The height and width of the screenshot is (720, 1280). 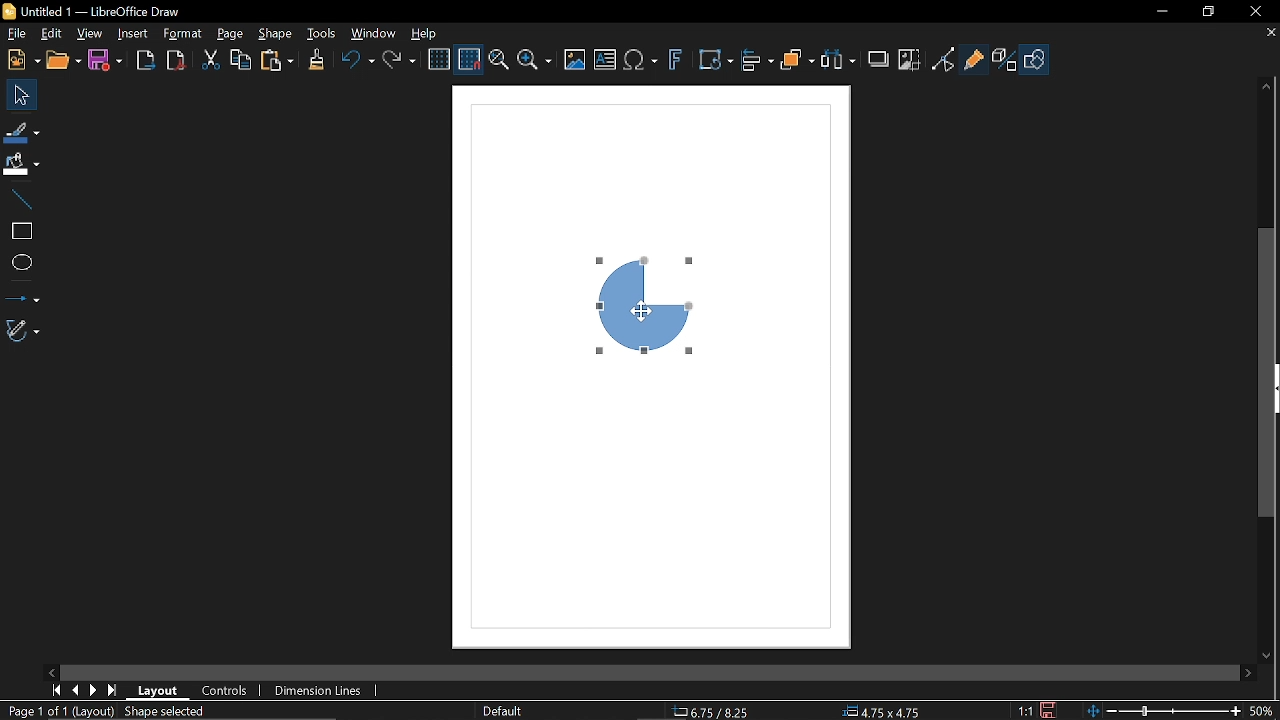 I want to click on Shapes, so click(x=1036, y=60).